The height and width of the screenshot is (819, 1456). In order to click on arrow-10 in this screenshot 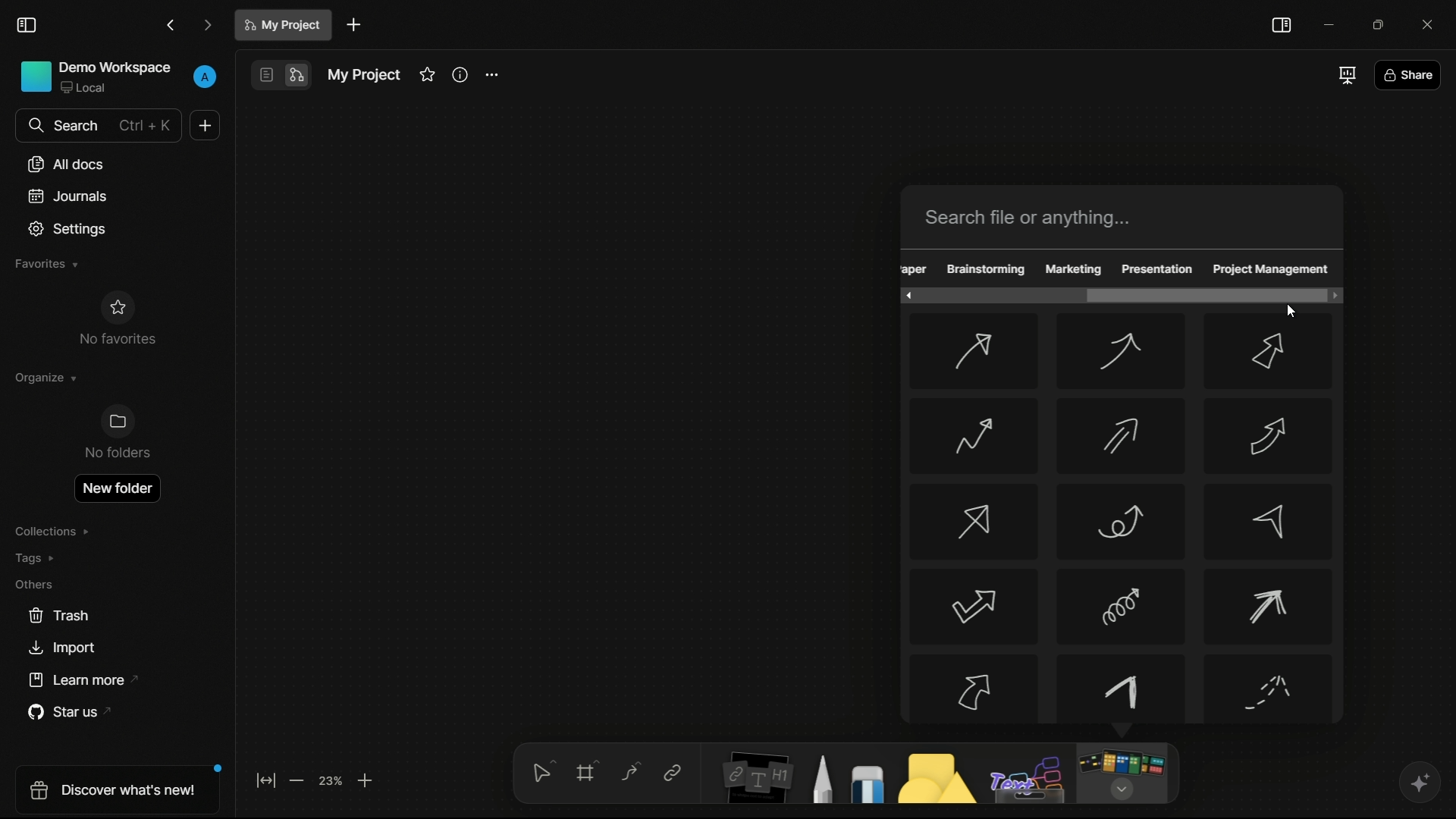, I will do `click(972, 607)`.